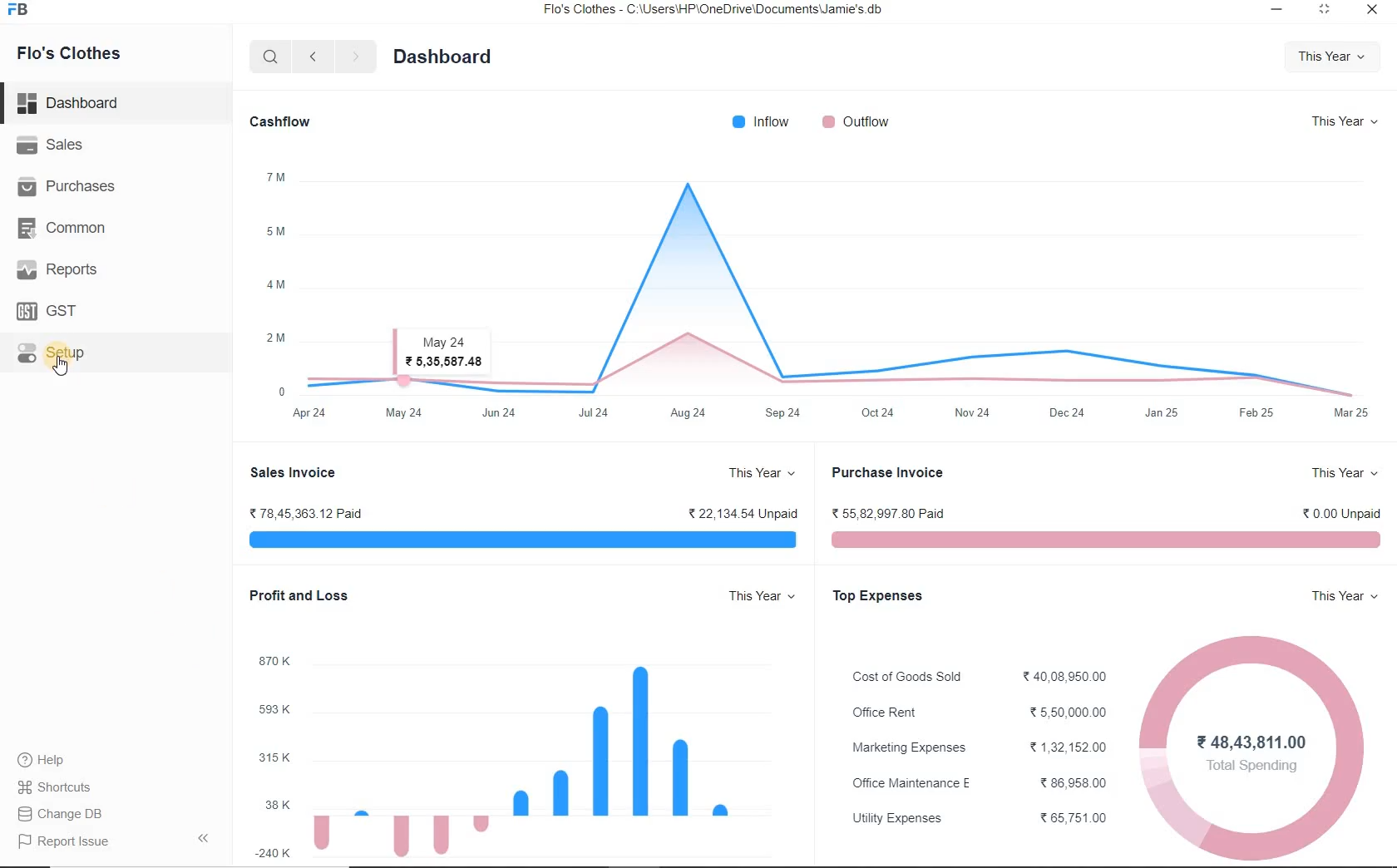 The image size is (1397, 868). What do you see at coordinates (268, 57) in the screenshot?
I see `search` at bounding box center [268, 57].